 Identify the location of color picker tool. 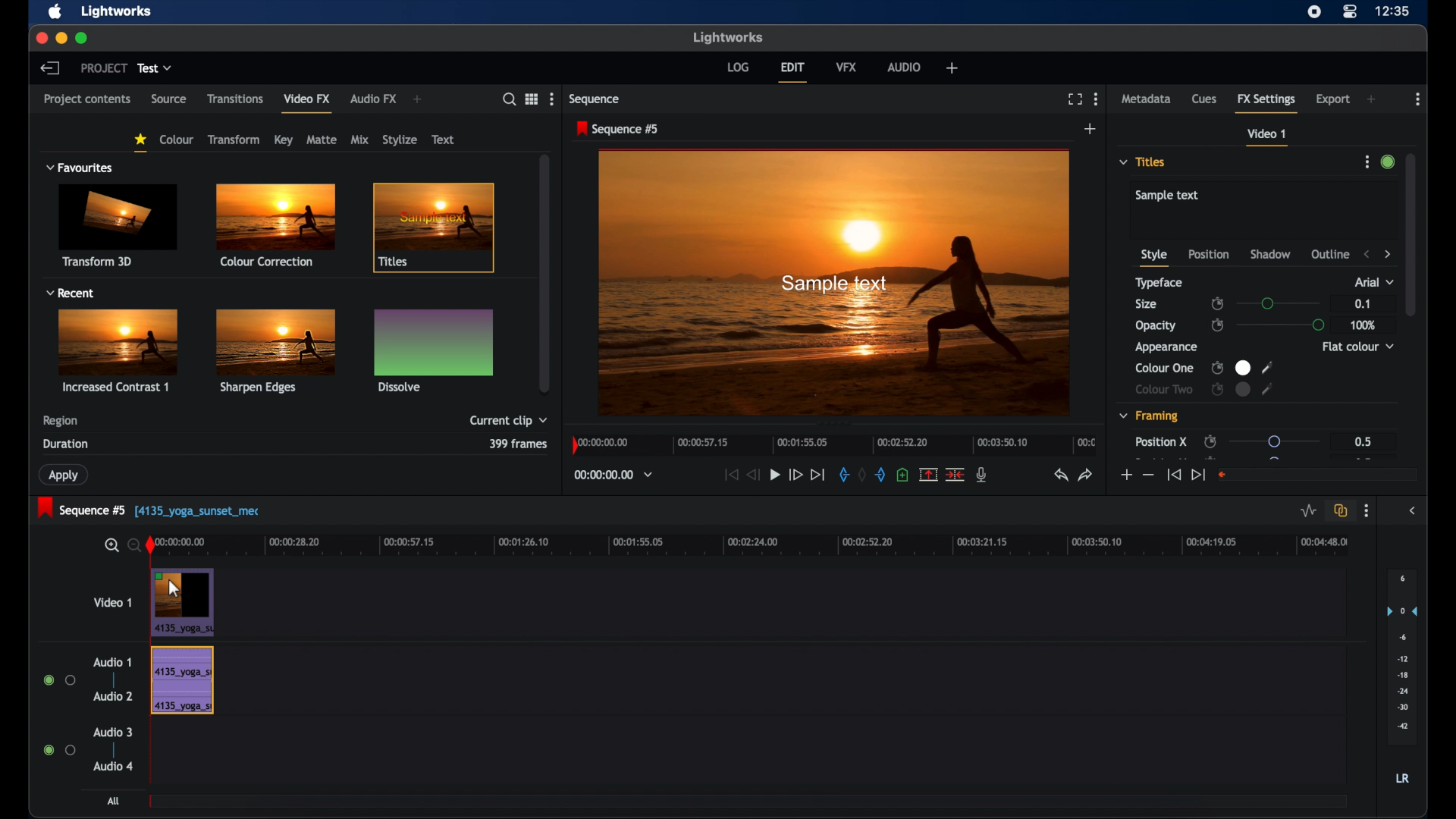
(1268, 367).